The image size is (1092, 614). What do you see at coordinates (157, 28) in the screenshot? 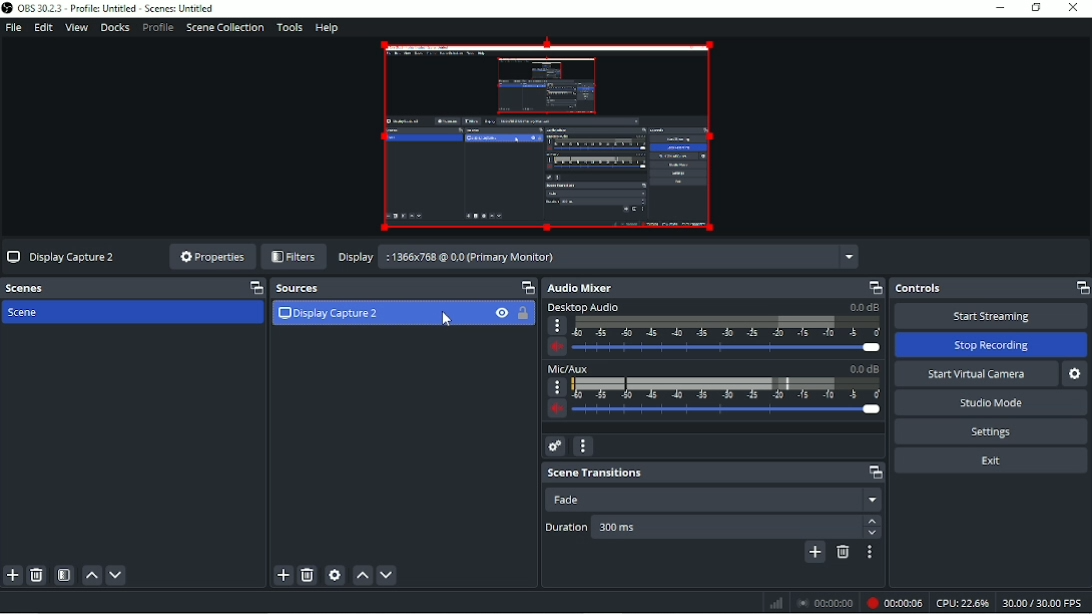
I see `Profile` at bounding box center [157, 28].